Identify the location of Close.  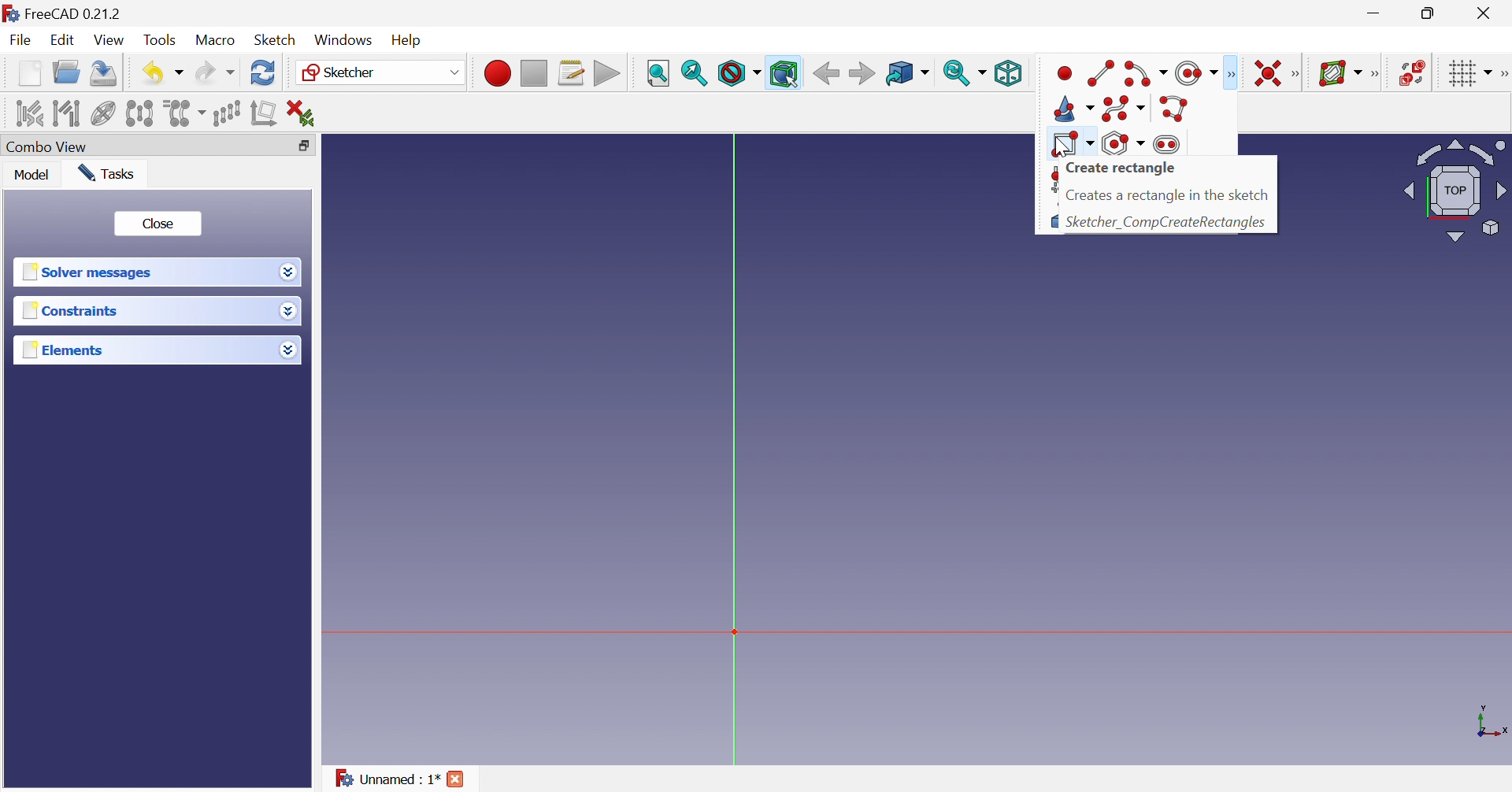
(159, 224).